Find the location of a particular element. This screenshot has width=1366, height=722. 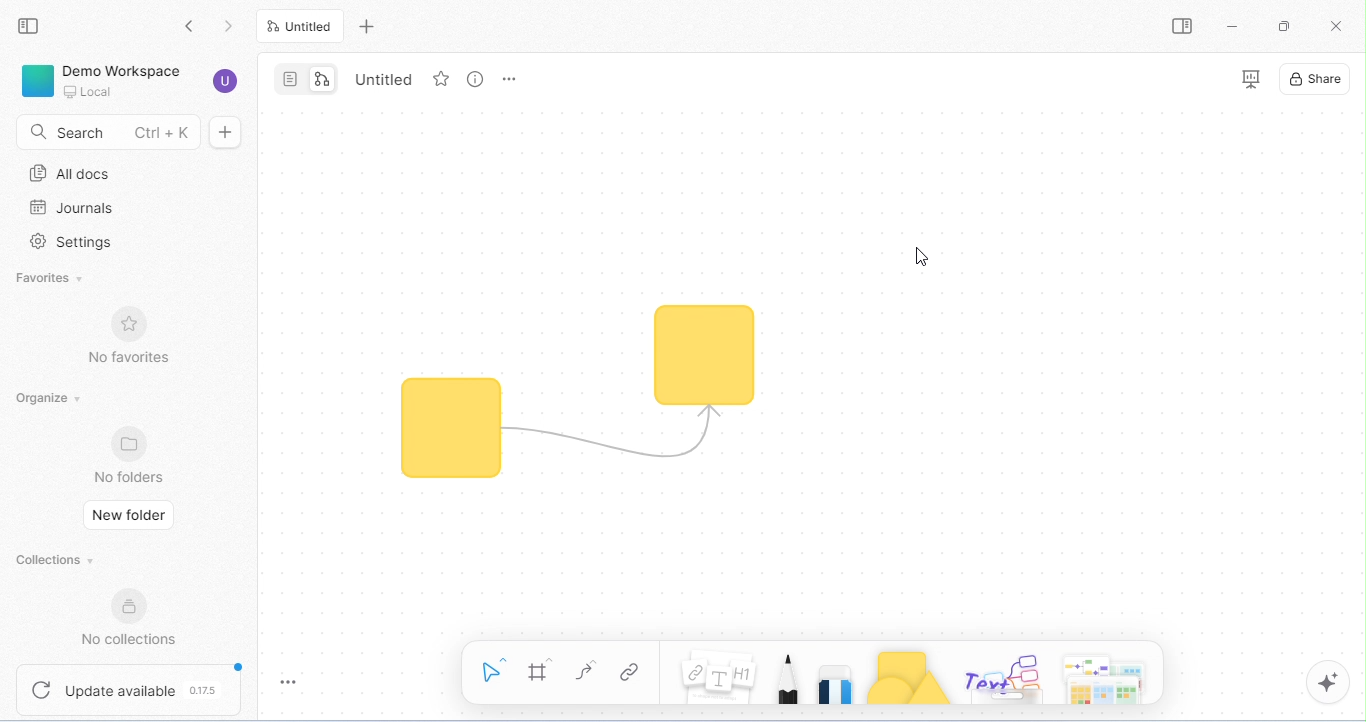

organize is located at coordinates (51, 398).